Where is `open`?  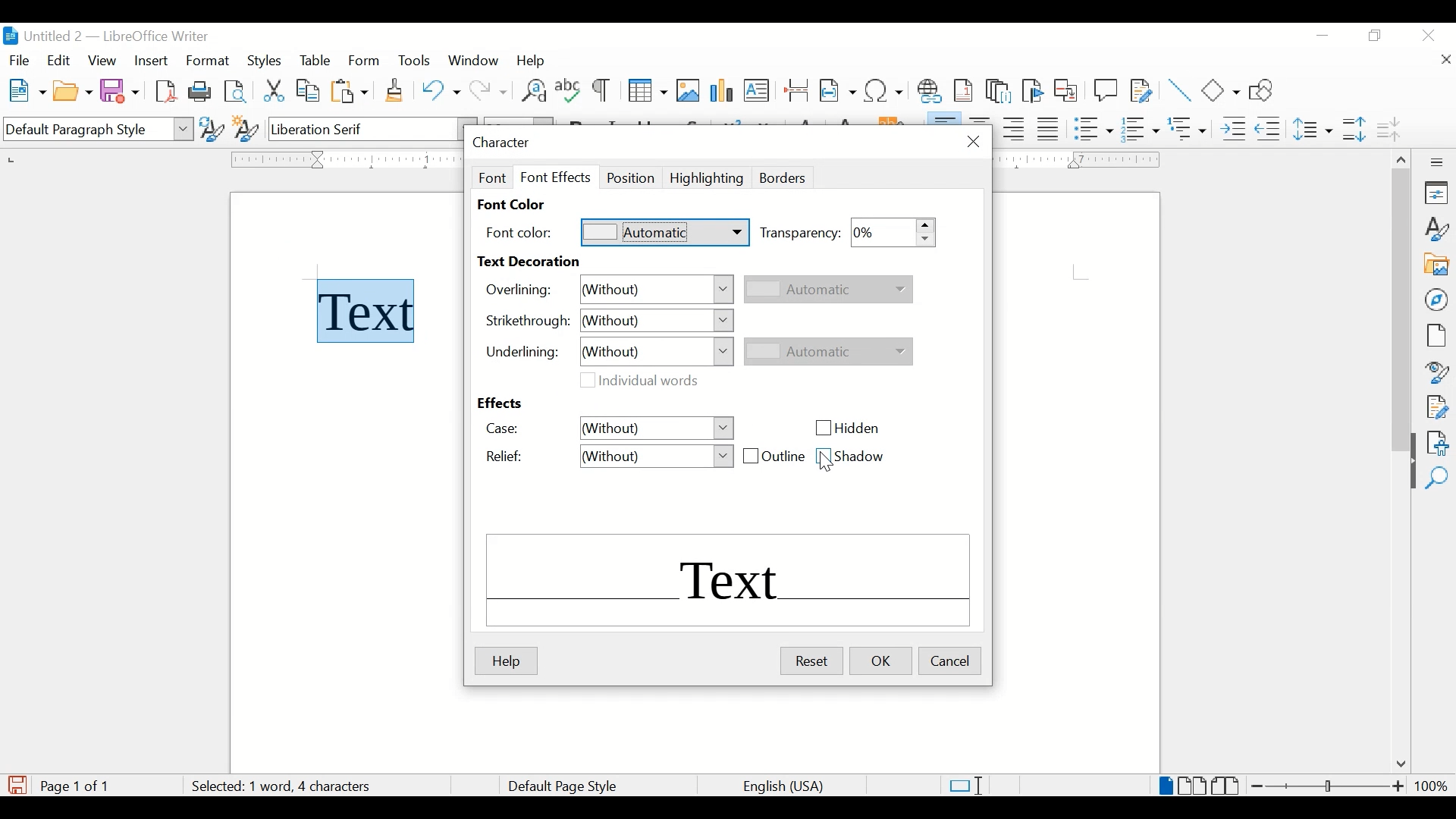
open is located at coordinates (72, 92).